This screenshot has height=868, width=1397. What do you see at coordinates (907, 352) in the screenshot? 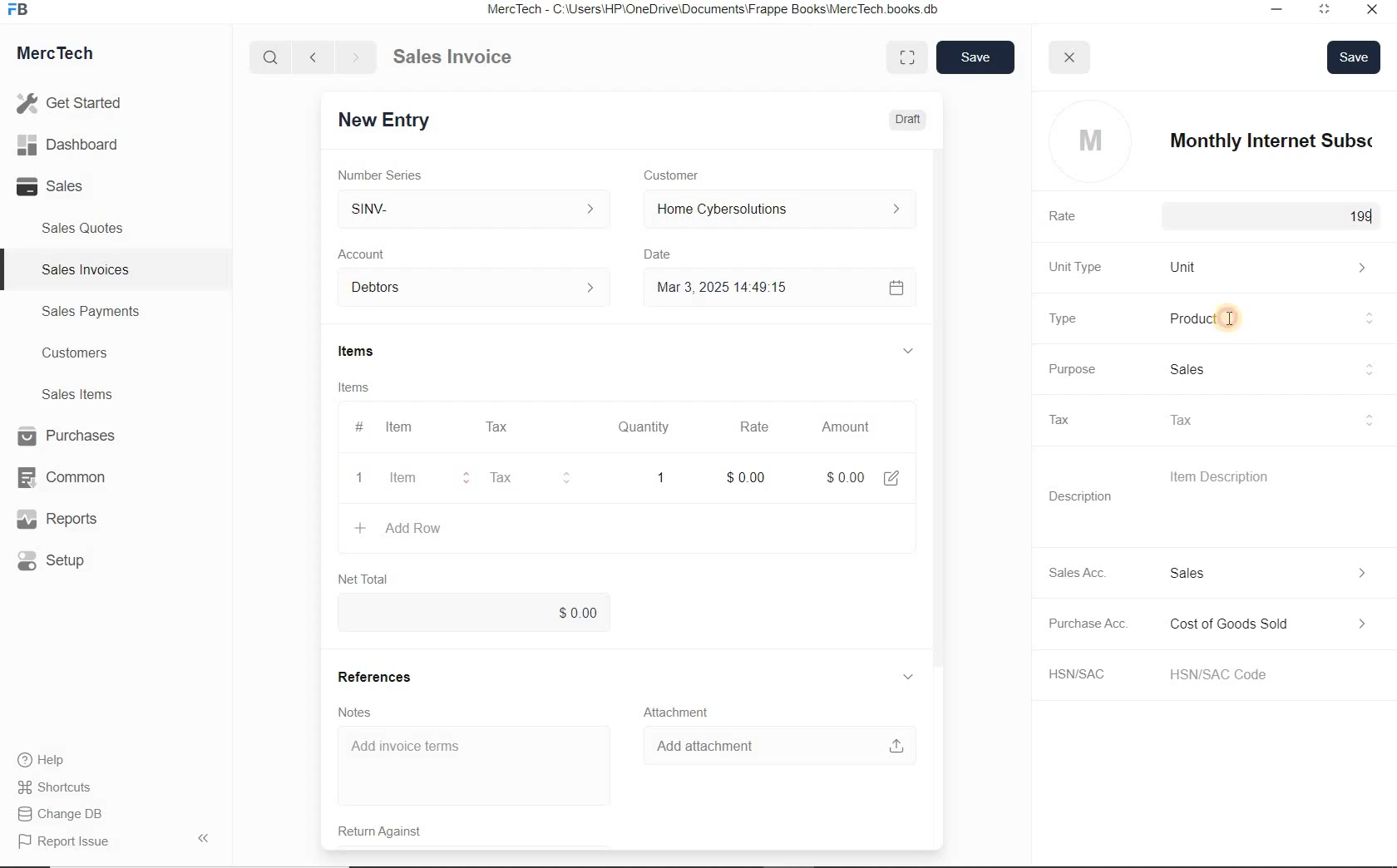
I see `hide sub menu` at bounding box center [907, 352].